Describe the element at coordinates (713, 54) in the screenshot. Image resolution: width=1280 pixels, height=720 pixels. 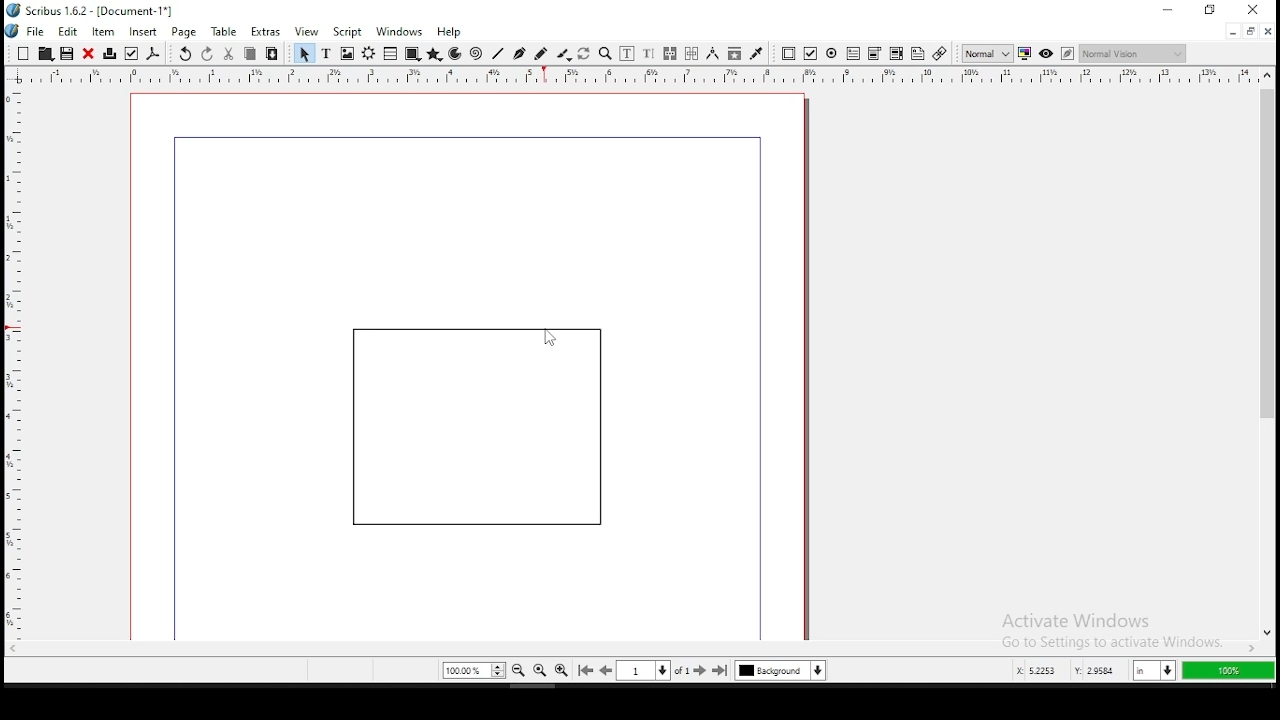
I see `measurement` at that location.